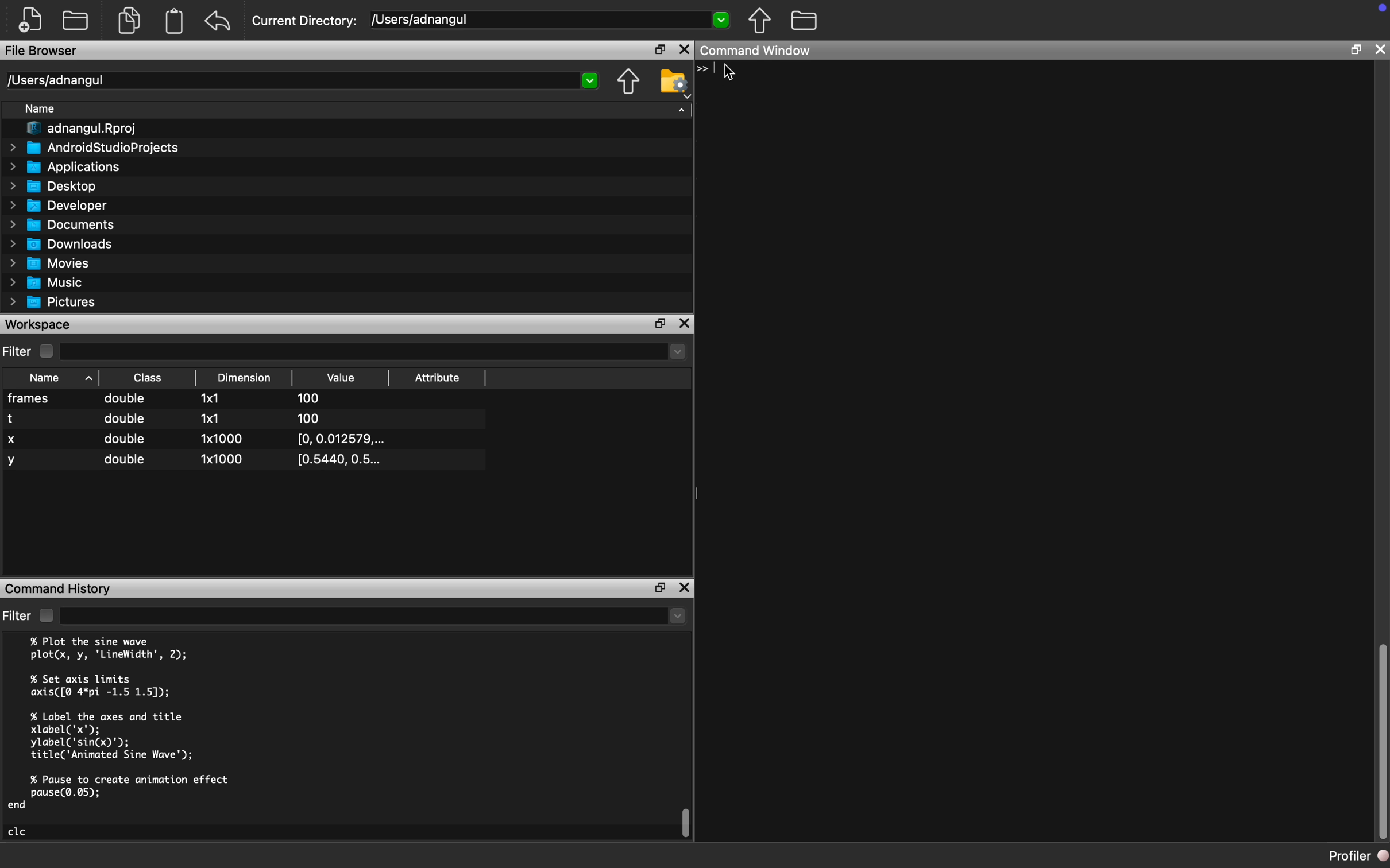  What do you see at coordinates (146, 379) in the screenshot?
I see `Class` at bounding box center [146, 379].